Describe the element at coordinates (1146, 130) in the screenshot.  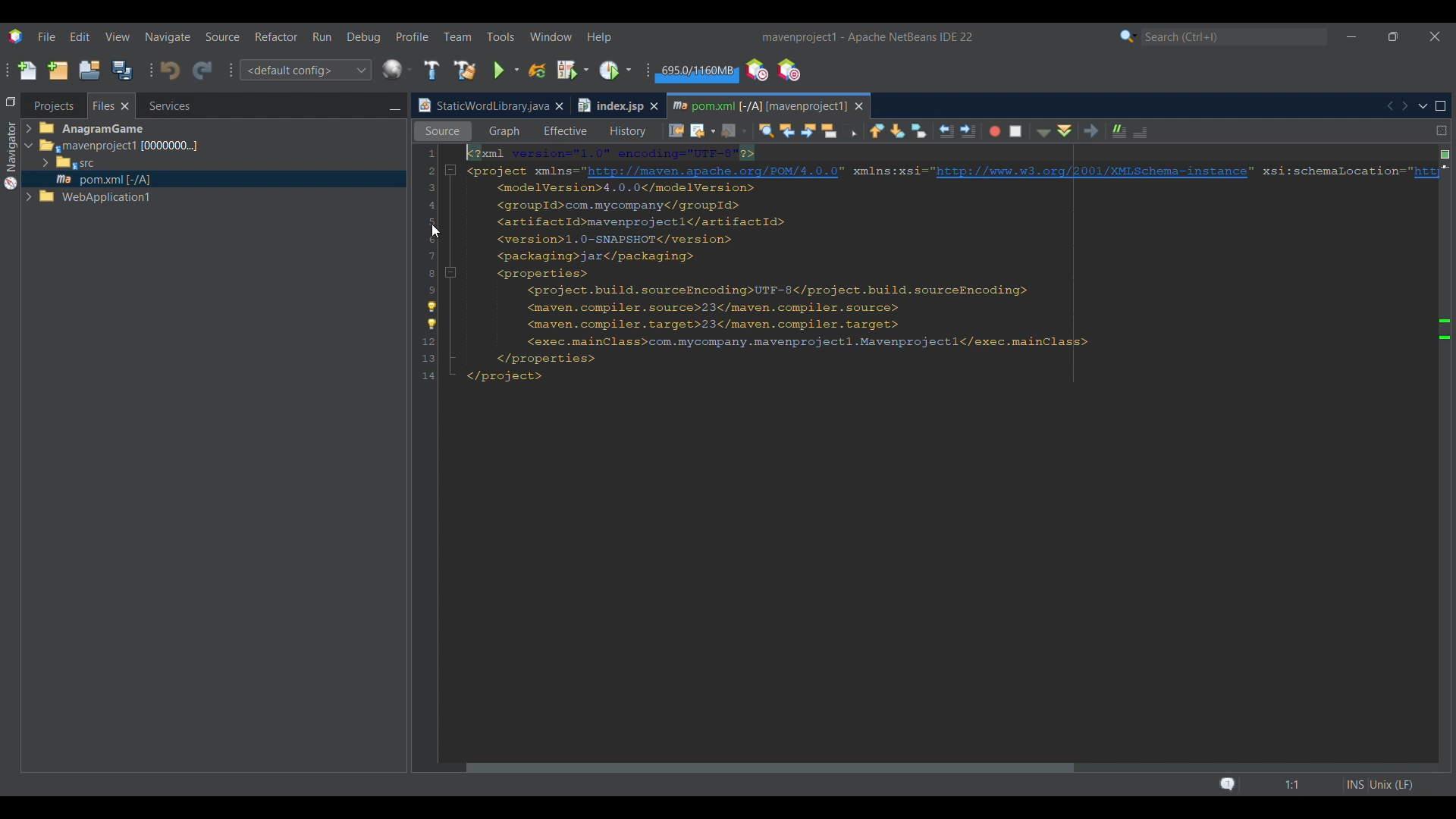
I see `Uncomment` at that location.